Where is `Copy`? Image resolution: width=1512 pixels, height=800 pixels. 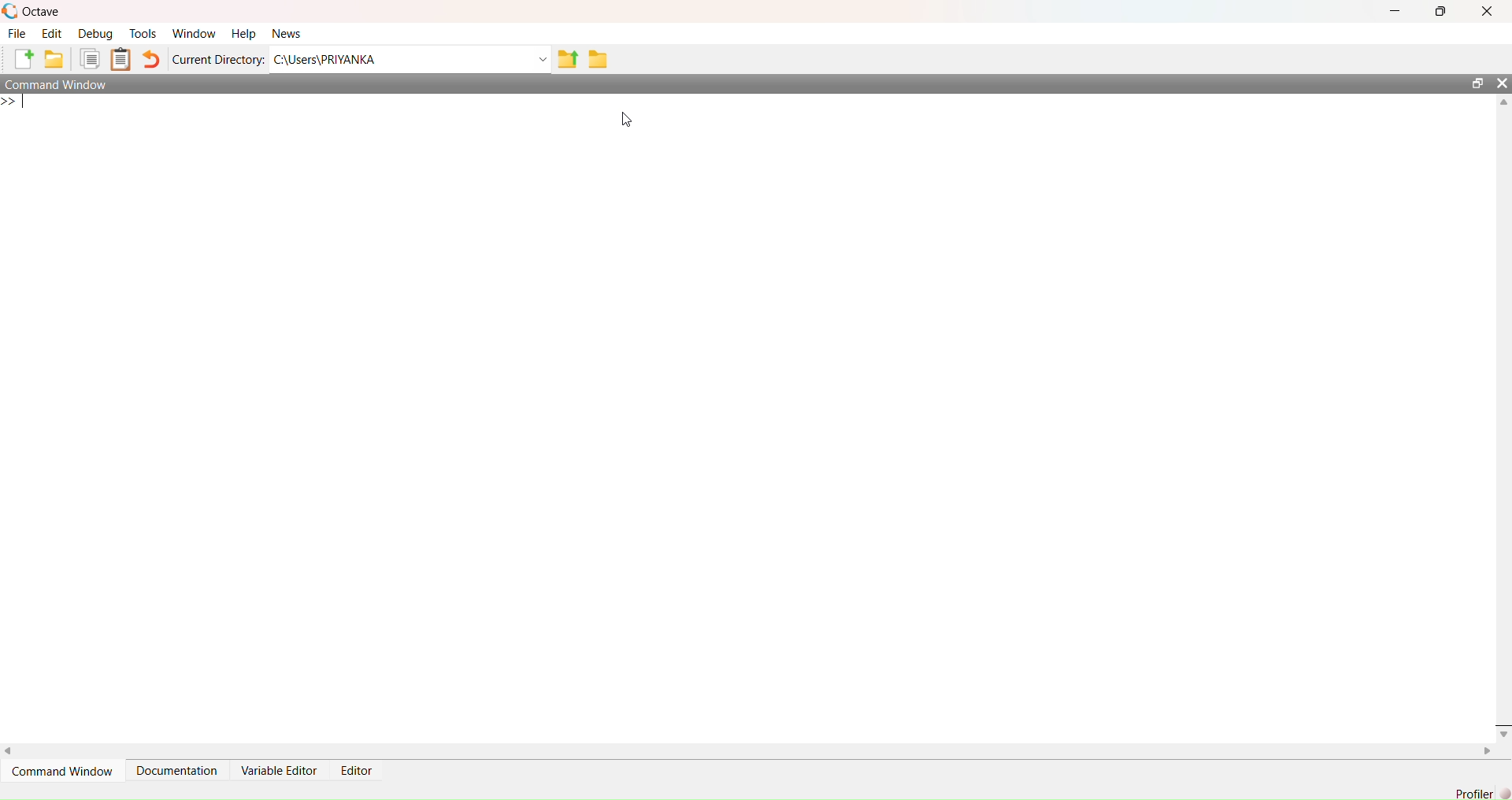
Copy is located at coordinates (91, 58).